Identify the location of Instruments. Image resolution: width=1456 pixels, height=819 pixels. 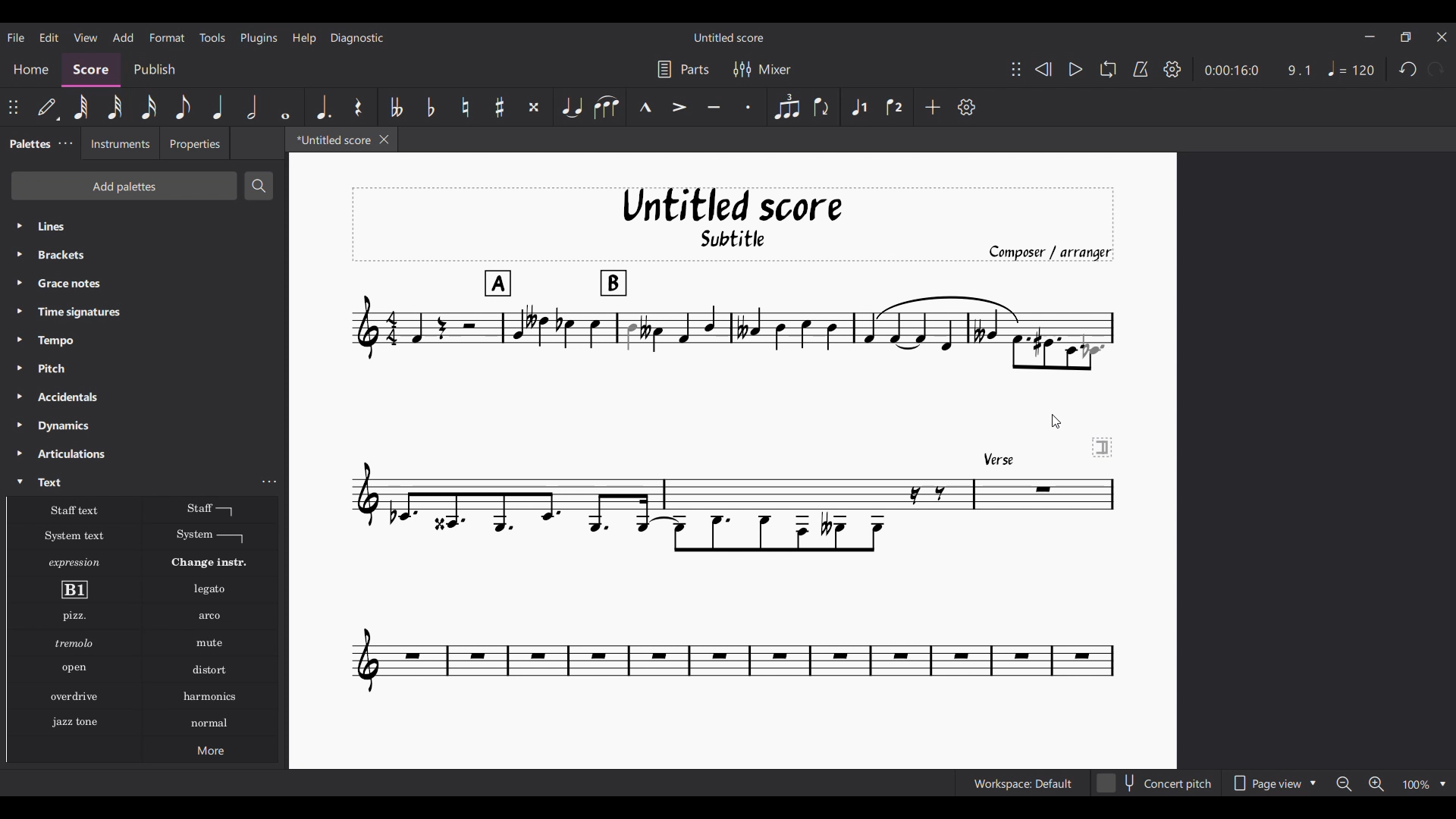
(119, 143).